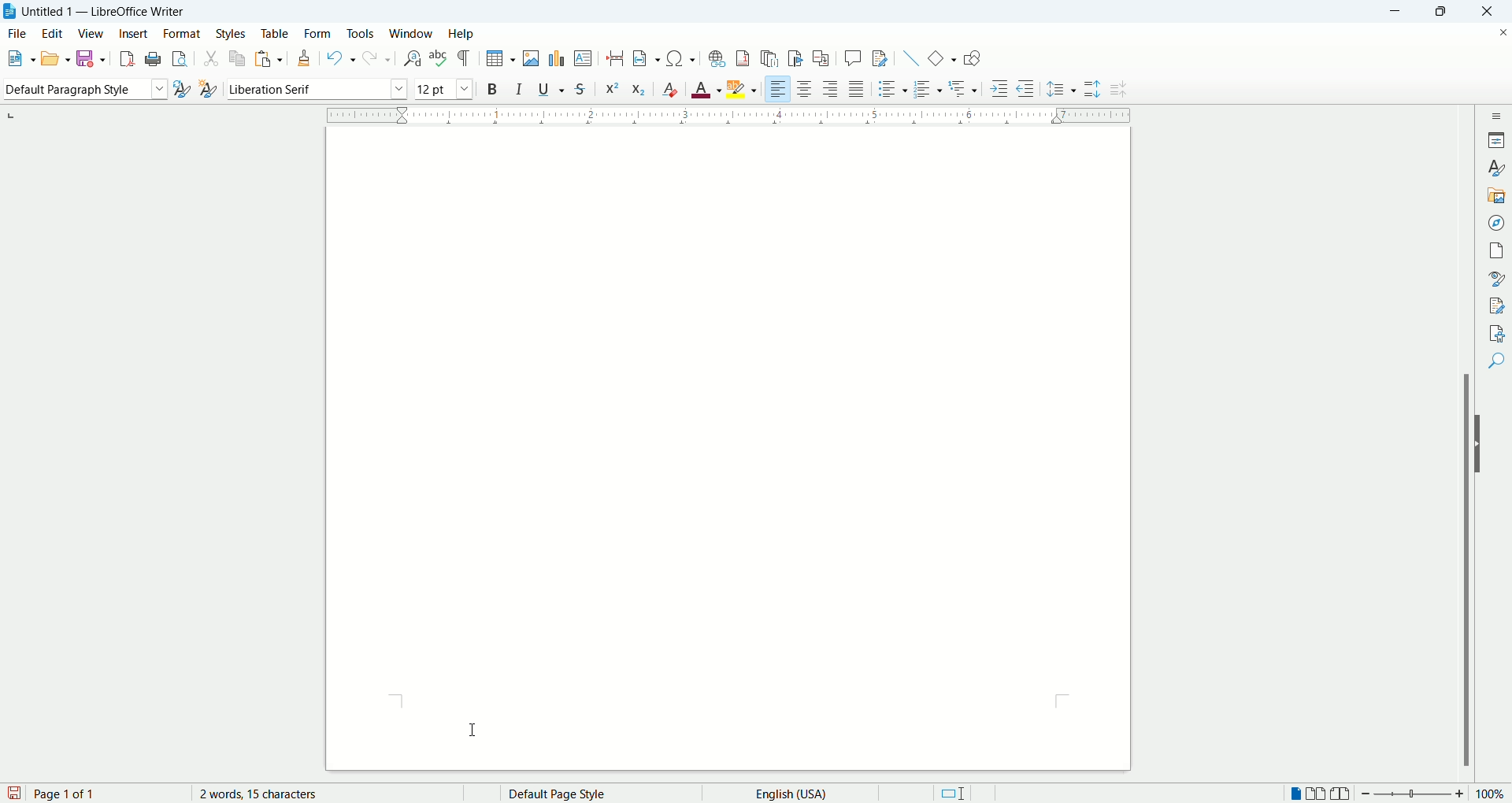 Image resolution: width=1512 pixels, height=803 pixels. What do you see at coordinates (151, 59) in the screenshot?
I see `print` at bounding box center [151, 59].